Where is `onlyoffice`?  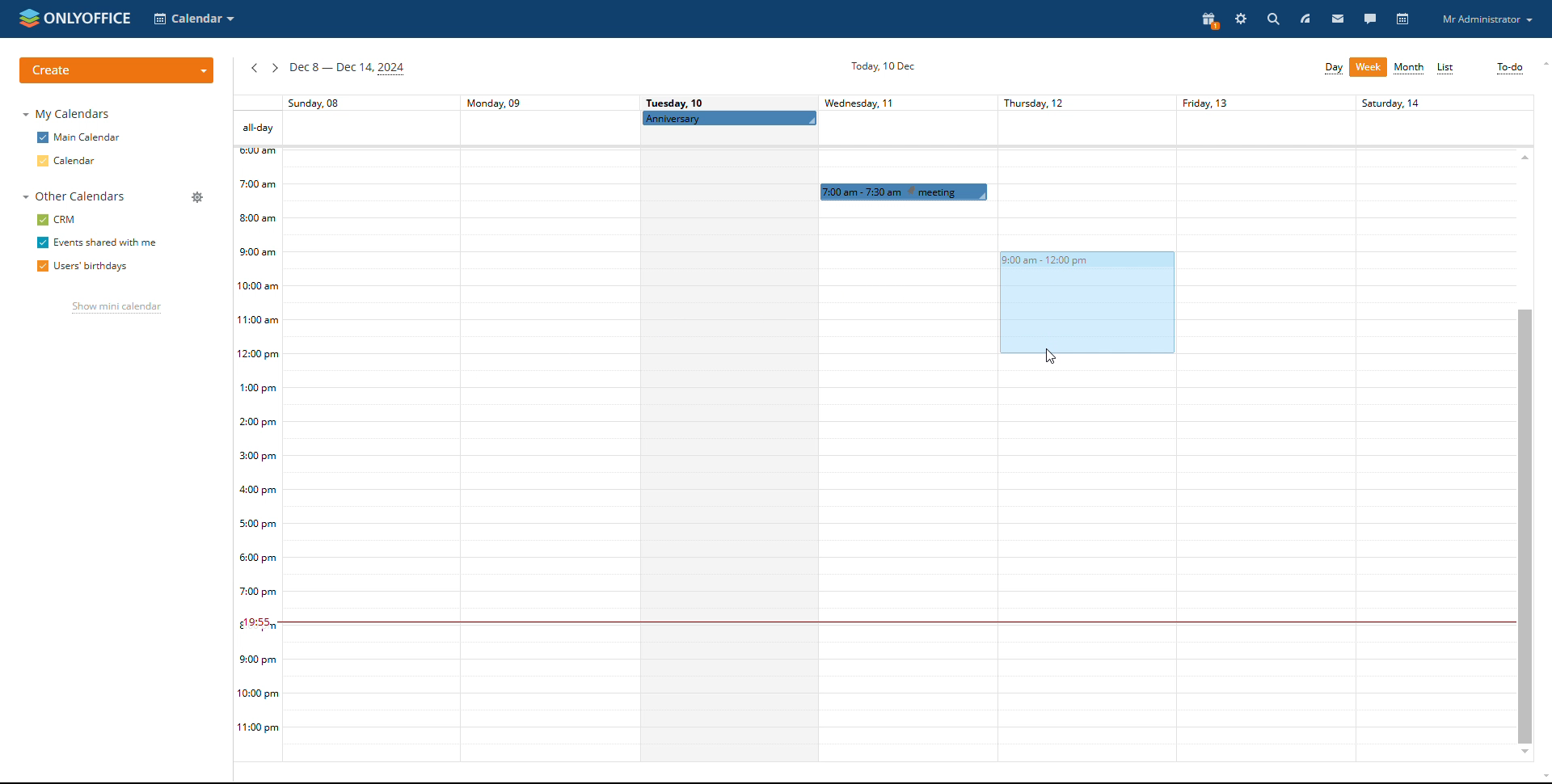 onlyoffice is located at coordinates (93, 17).